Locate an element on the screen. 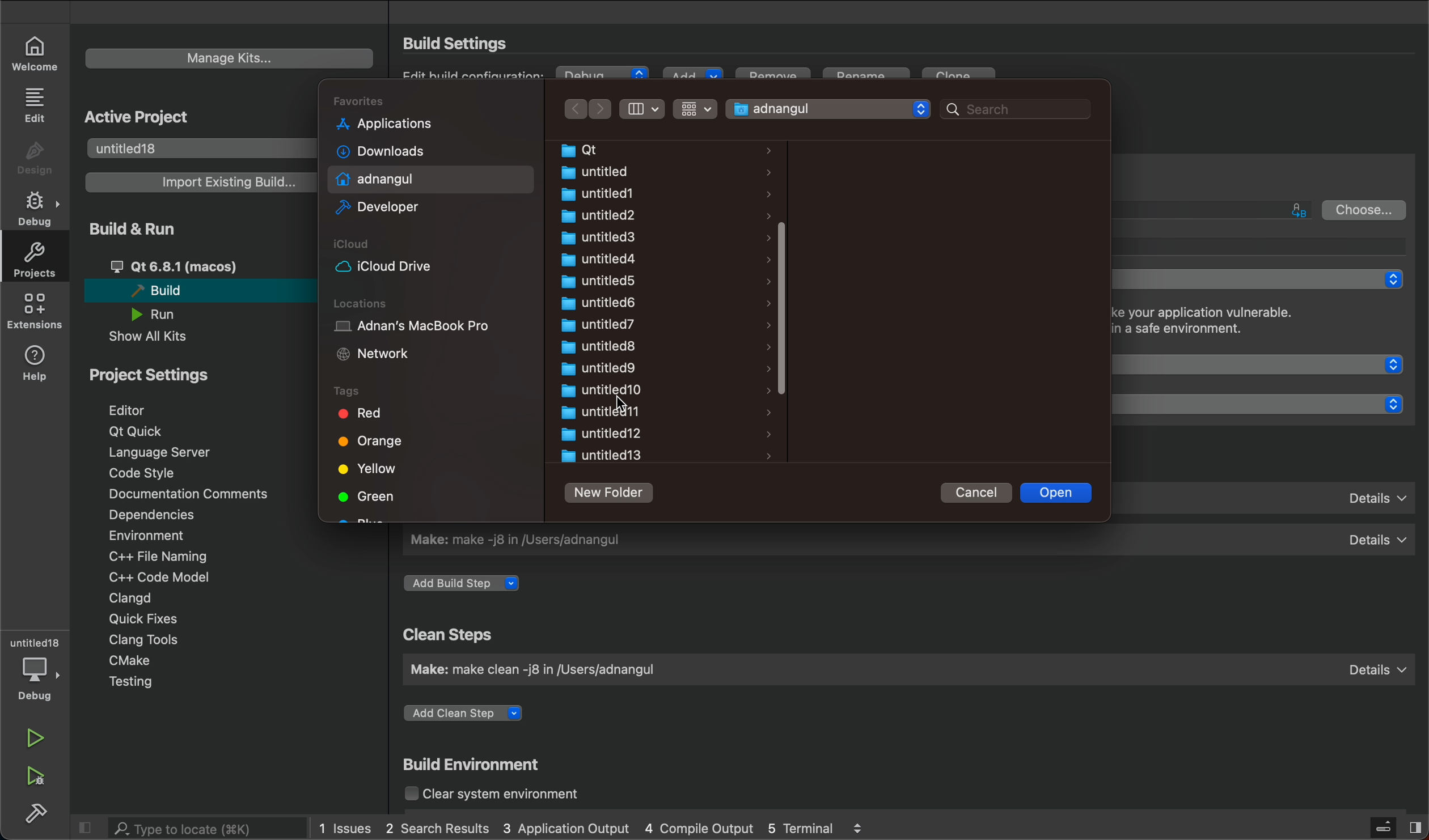  add clean step is located at coordinates (479, 710).